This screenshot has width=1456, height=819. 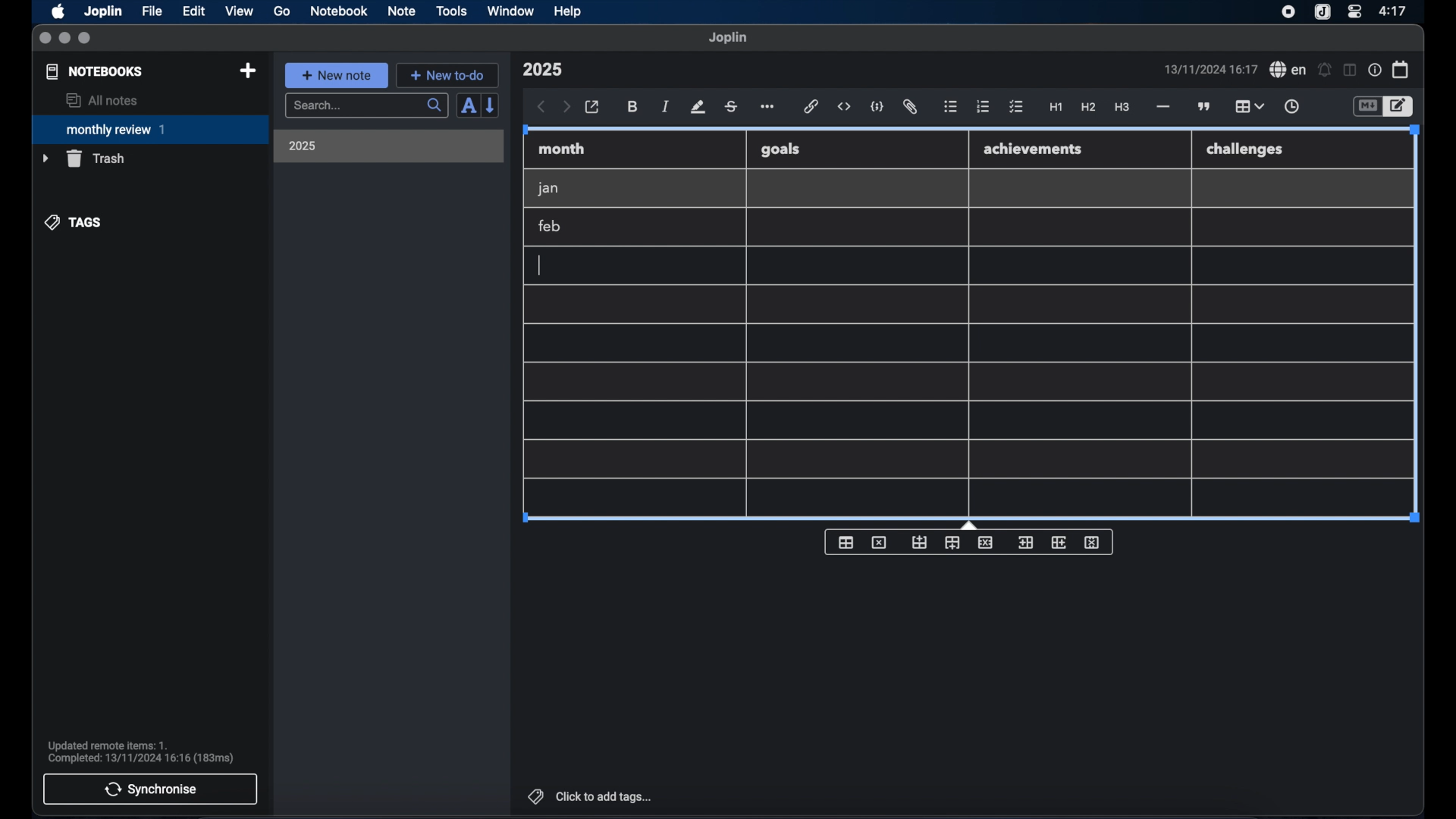 I want to click on bold, so click(x=634, y=107).